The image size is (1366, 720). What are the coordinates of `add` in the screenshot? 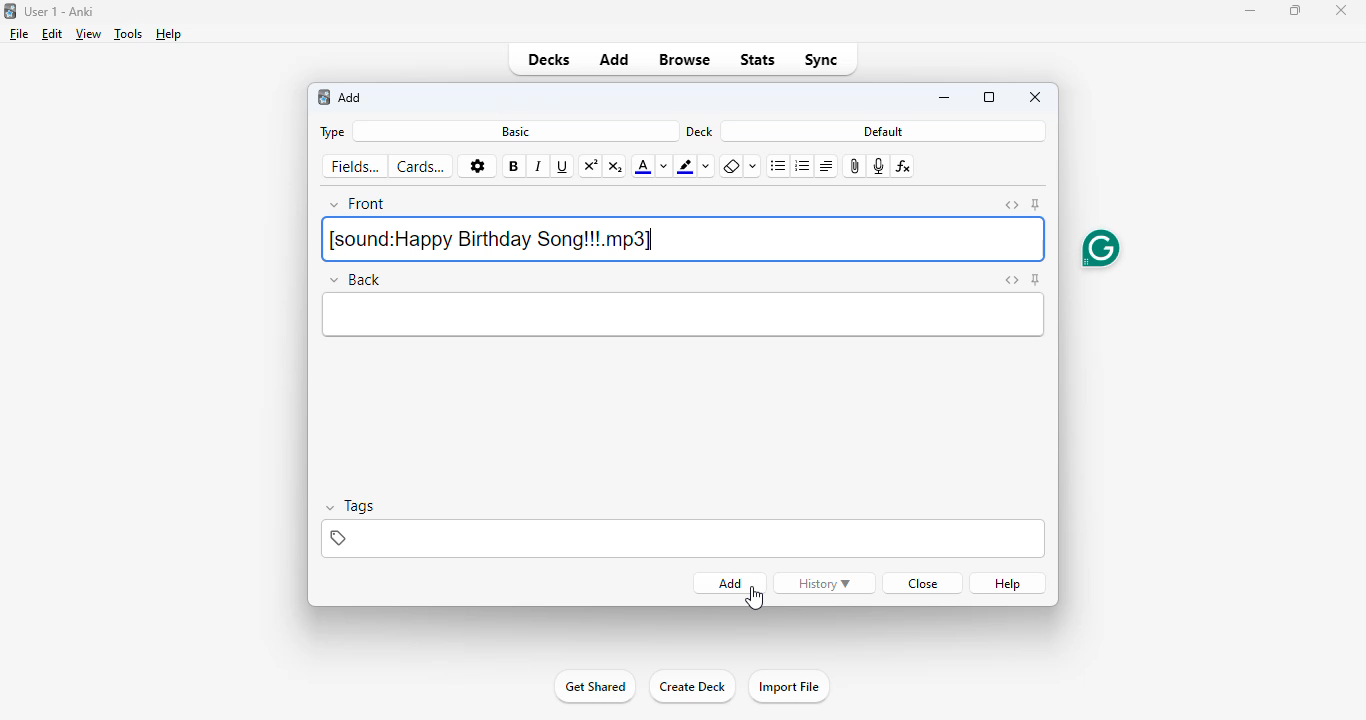 It's located at (615, 60).